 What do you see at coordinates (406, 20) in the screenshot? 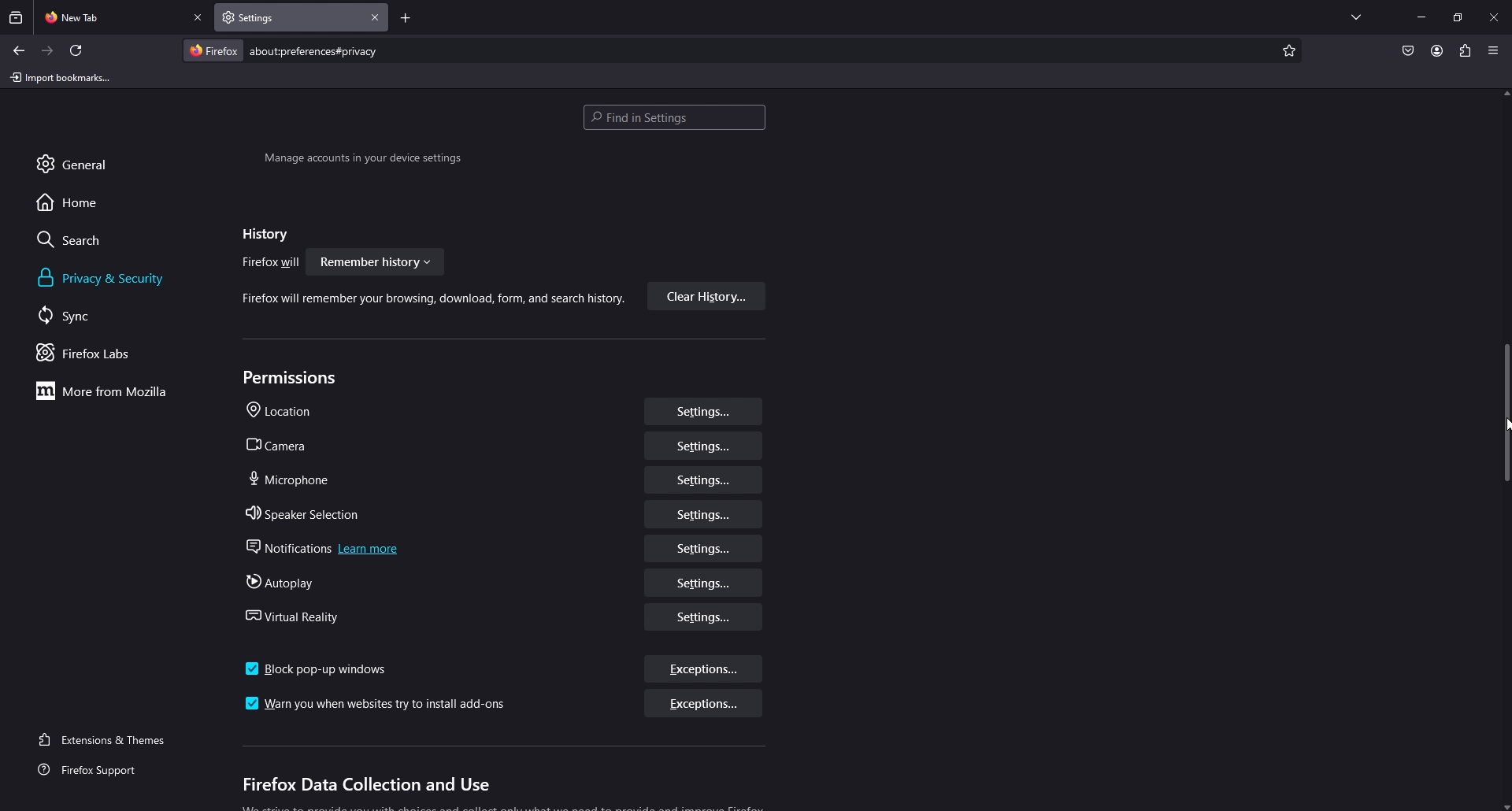
I see `add tab` at bounding box center [406, 20].